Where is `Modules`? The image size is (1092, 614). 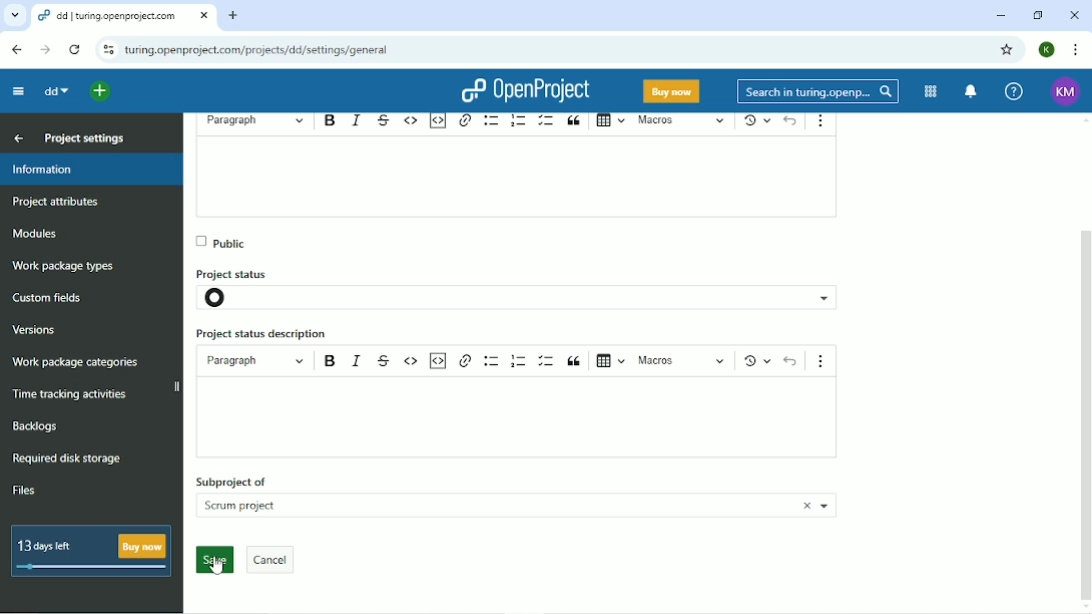
Modules is located at coordinates (33, 233).